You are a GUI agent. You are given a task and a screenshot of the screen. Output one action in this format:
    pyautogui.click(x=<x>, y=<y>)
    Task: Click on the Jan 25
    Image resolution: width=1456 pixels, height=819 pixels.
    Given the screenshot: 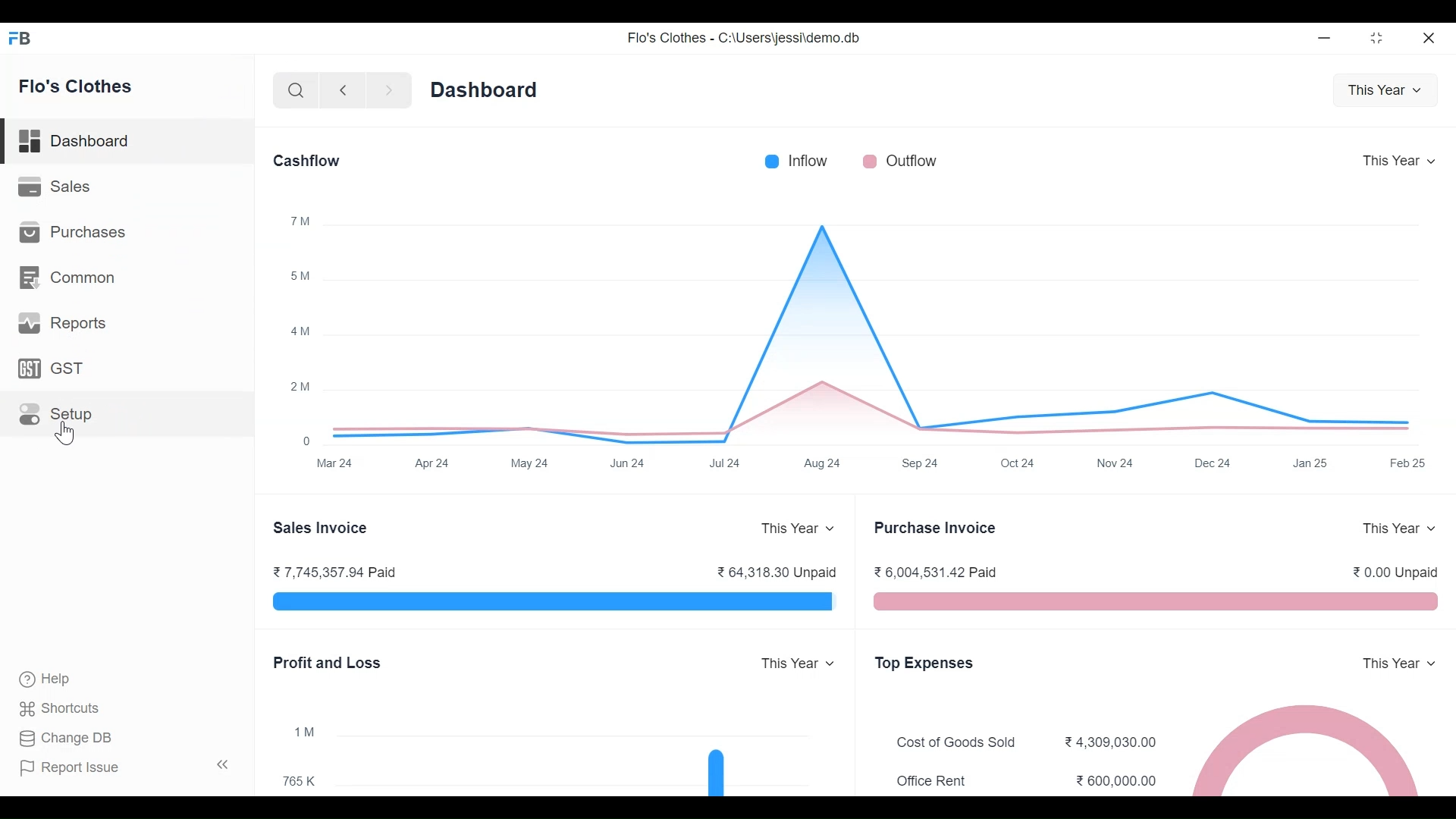 What is the action you would take?
    pyautogui.click(x=1311, y=463)
    